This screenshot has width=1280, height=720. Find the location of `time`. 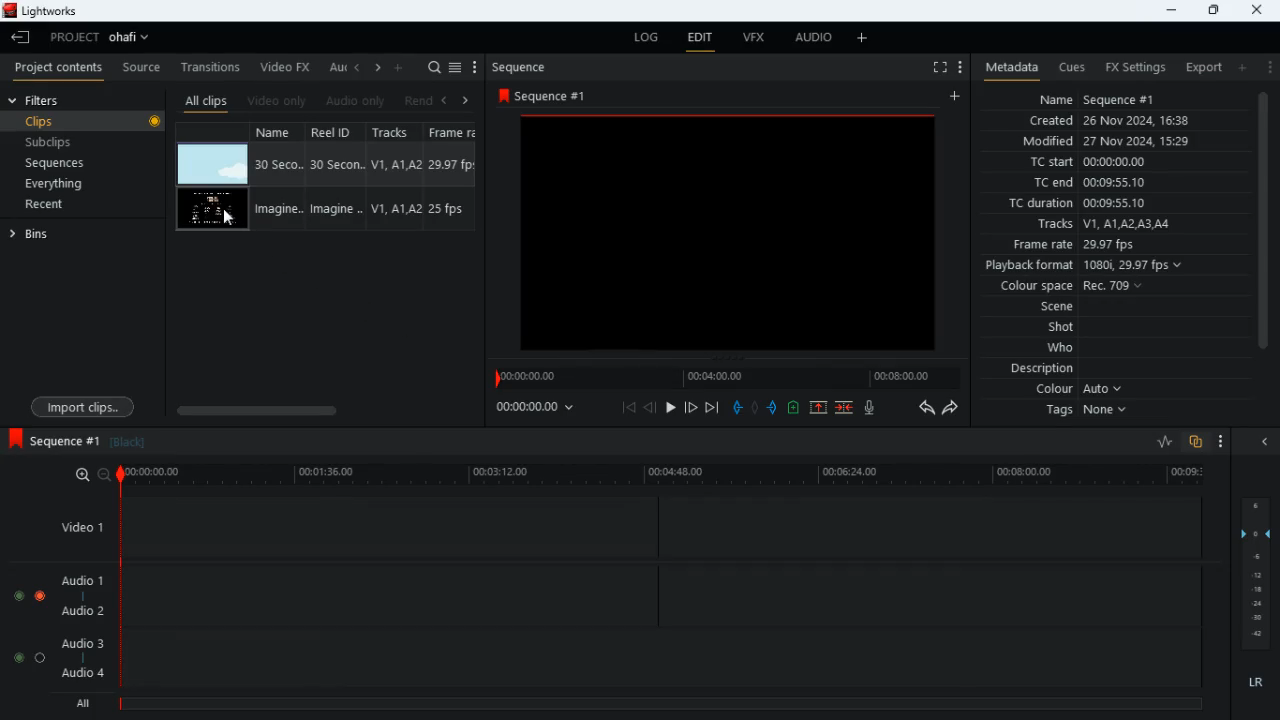

time is located at coordinates (544, 406).